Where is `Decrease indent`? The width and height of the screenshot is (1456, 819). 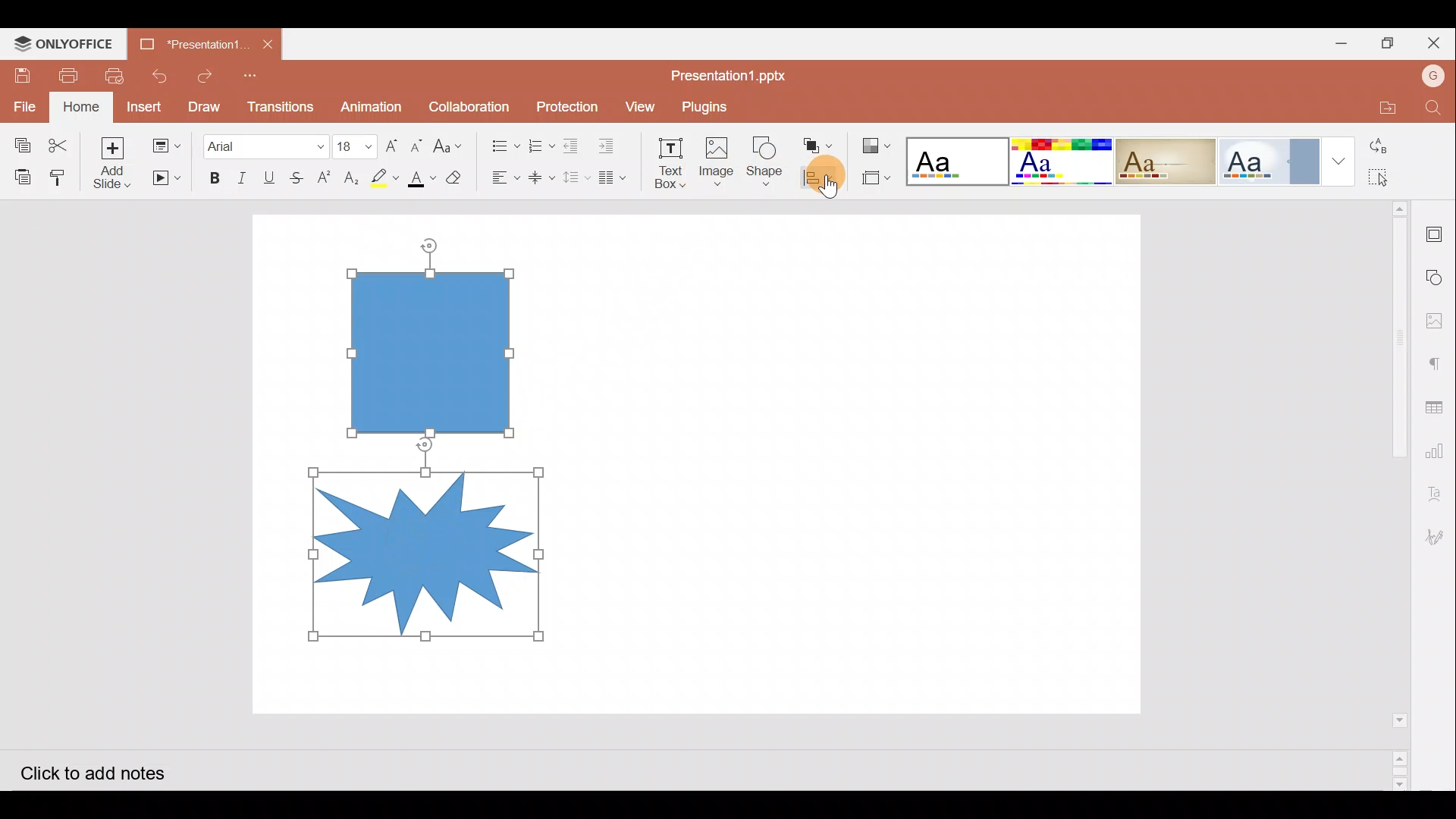 Decrease indent is located at coordinates (573, 143).